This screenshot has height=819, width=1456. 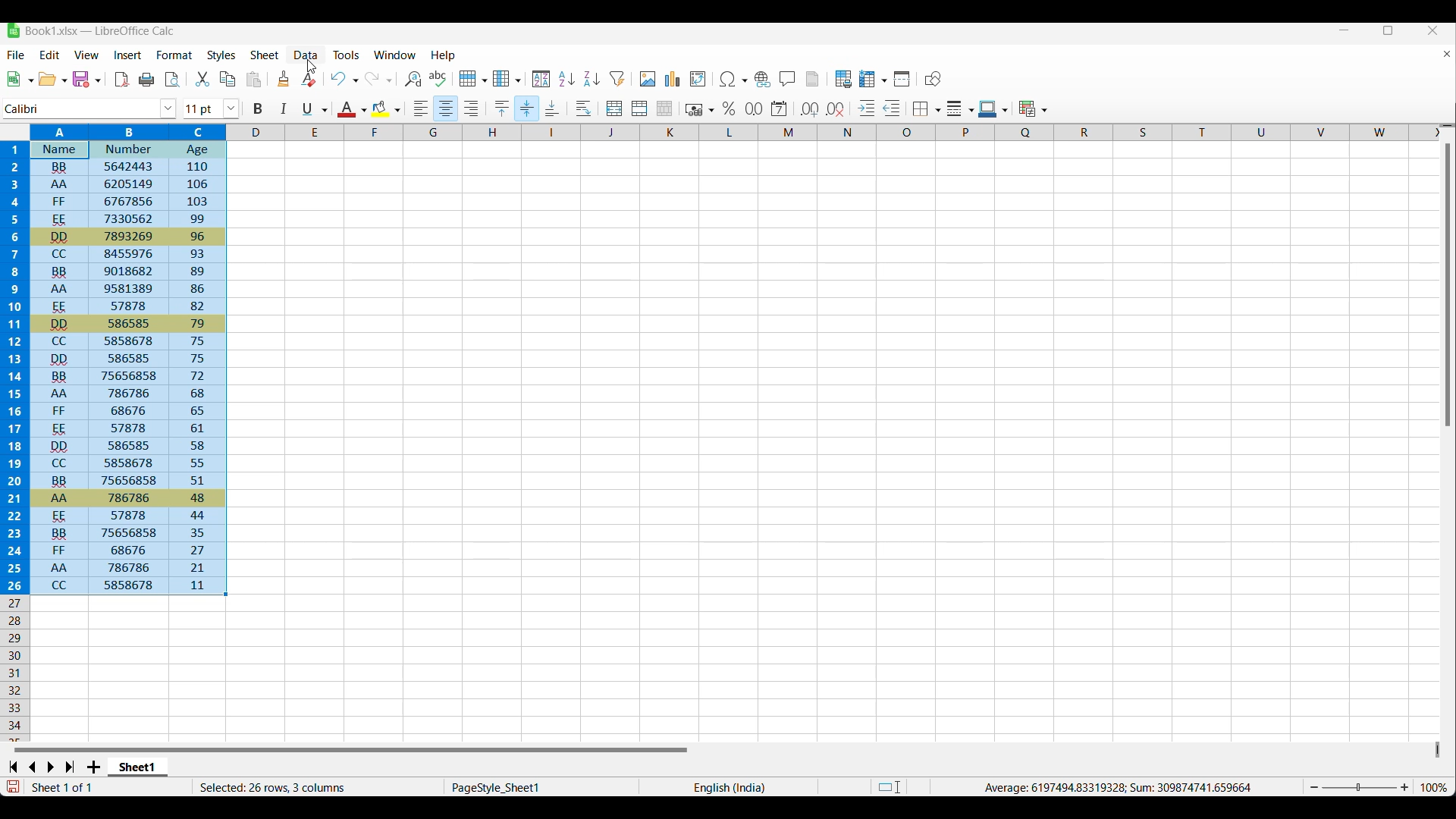 What do you see at coordinates (471, 108) in the screenshot?
I see `Align right` at bounding box center [471, 108].